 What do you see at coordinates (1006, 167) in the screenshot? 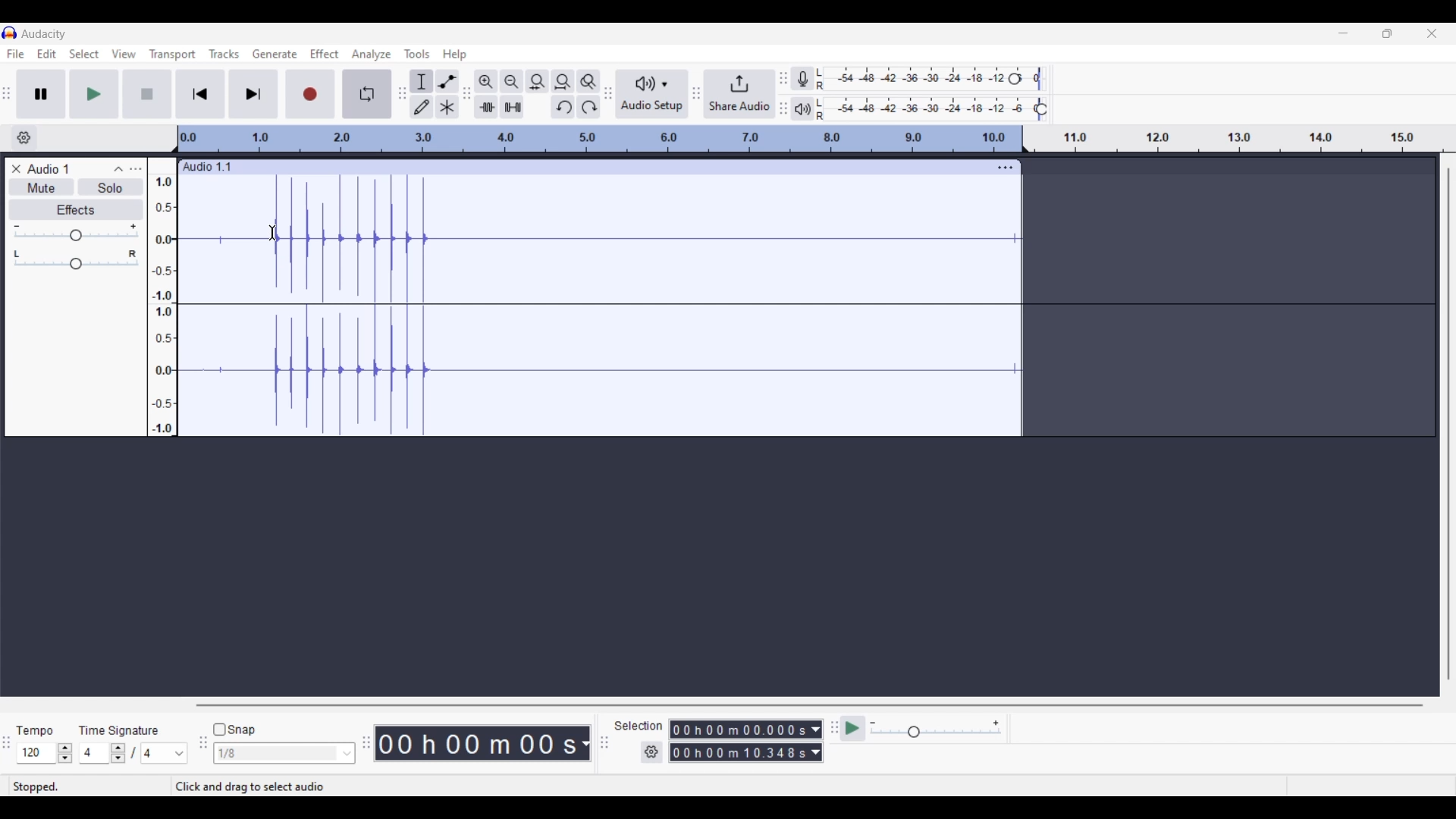
I see `Track settings` at bounding box center [1006, 167].